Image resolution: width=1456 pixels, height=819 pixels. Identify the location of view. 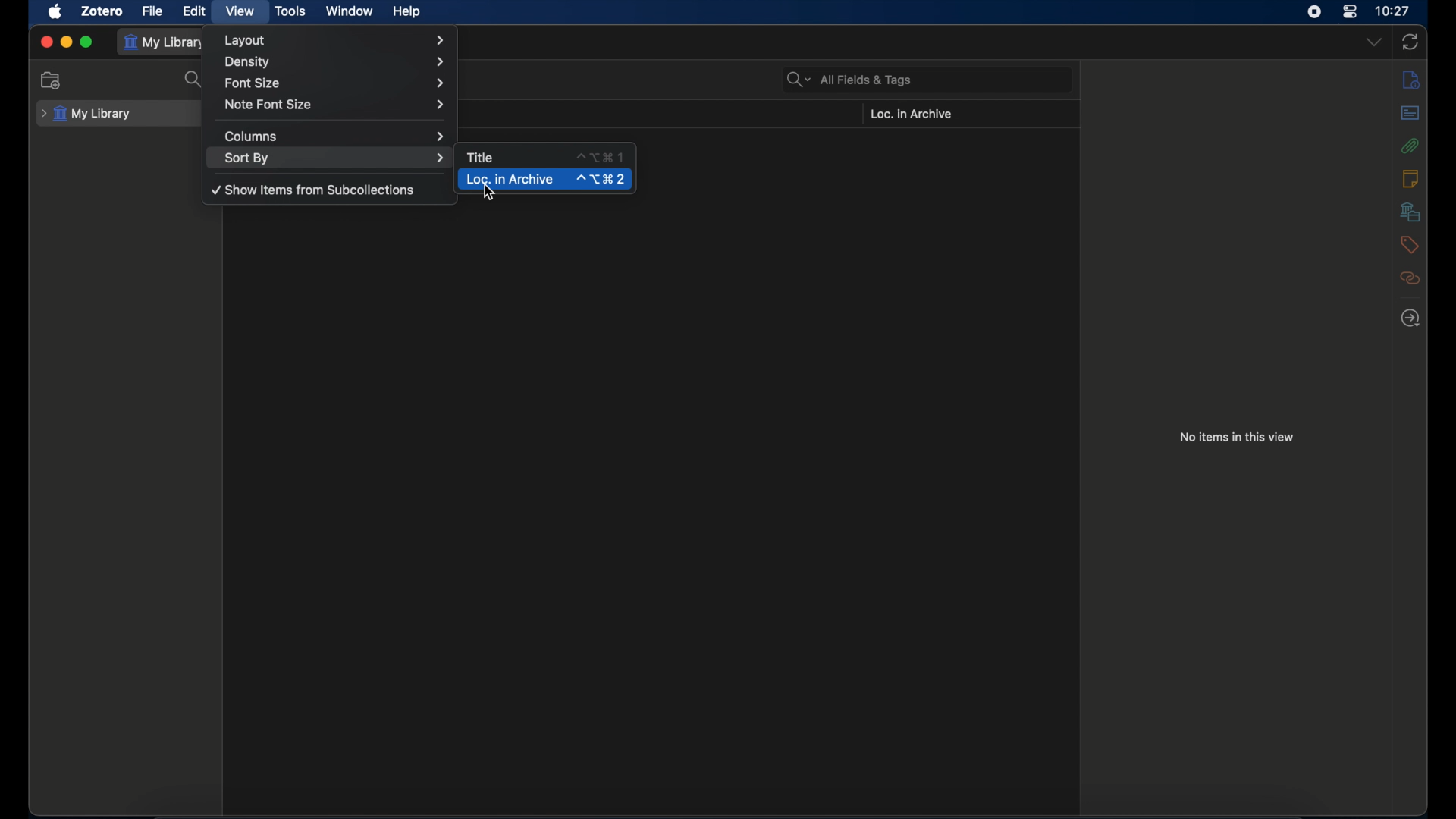
(240, 11).